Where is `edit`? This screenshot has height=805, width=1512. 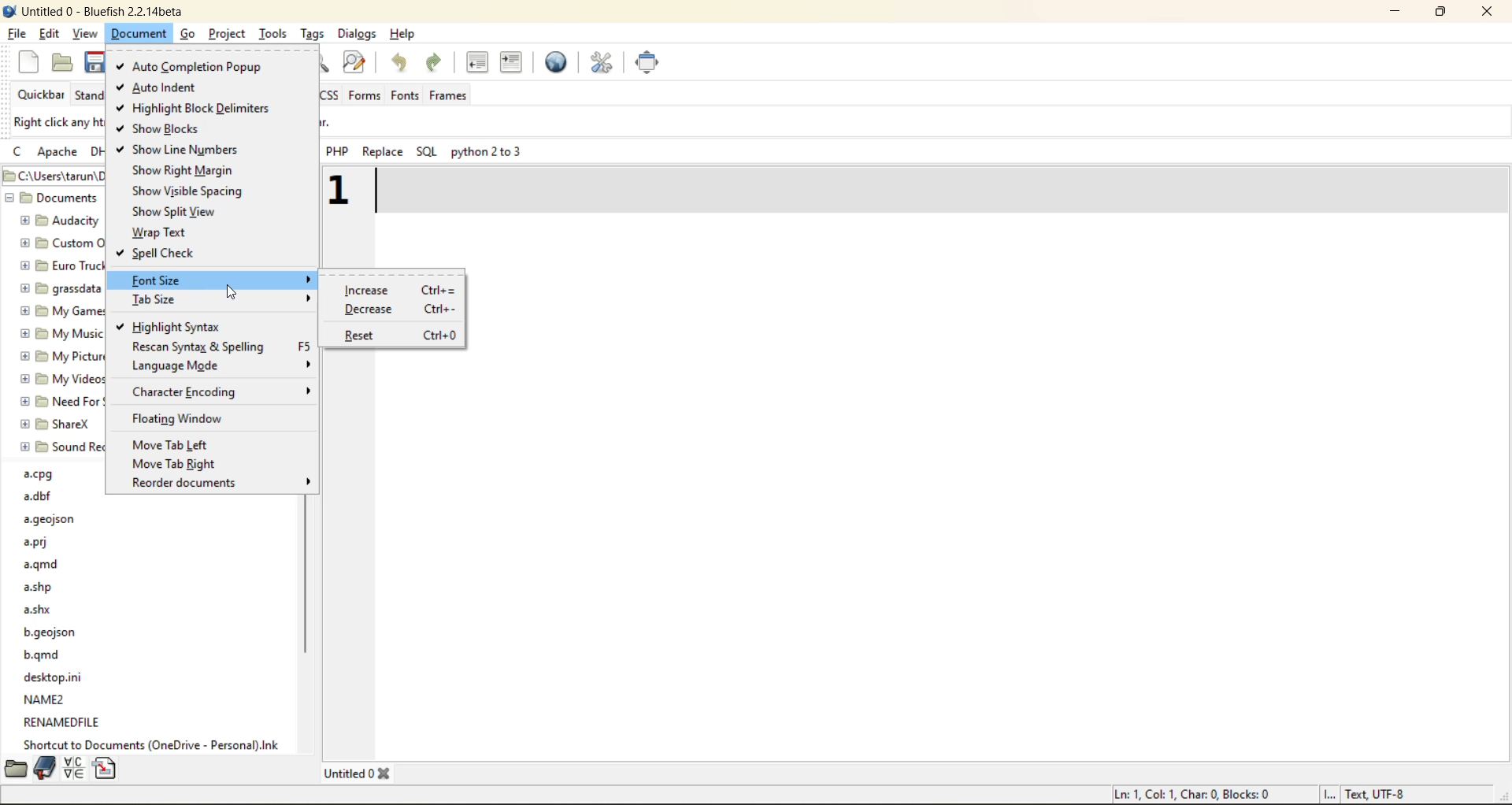
edit is located at coordinates (50, 32).